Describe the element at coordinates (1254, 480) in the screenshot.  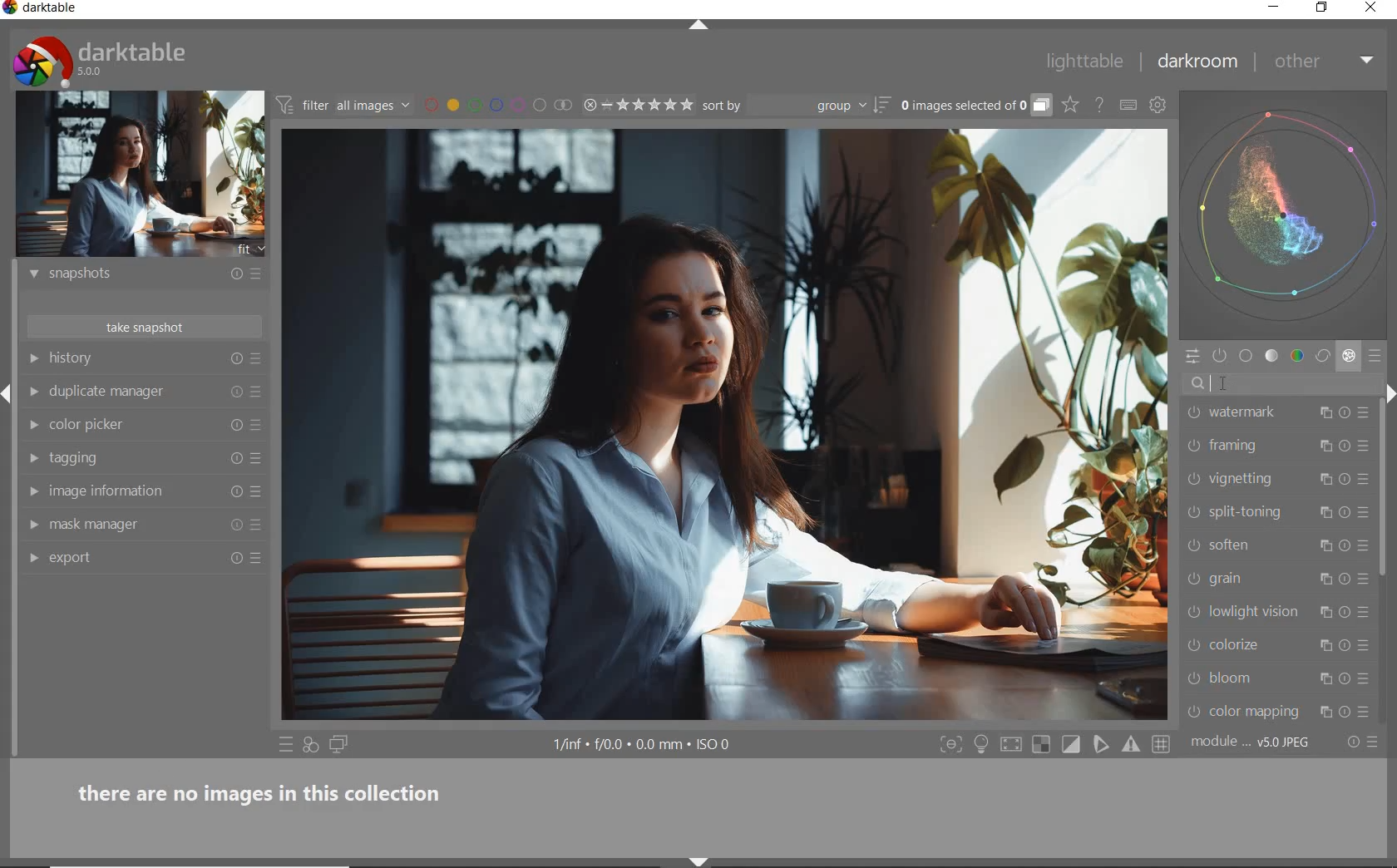
I see `vignetting` at that location.